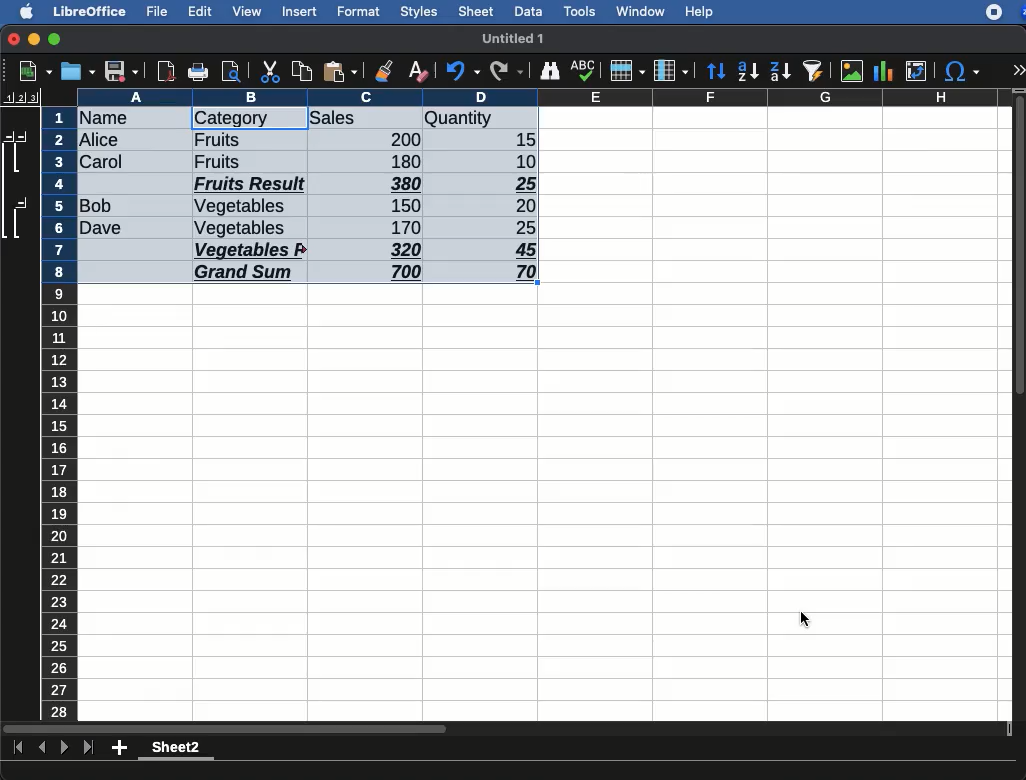 This screenshot has height=780, width=1026. Describe the element at coordinates (239, 205) in the screenshot. I see `Vegetables` at that location.